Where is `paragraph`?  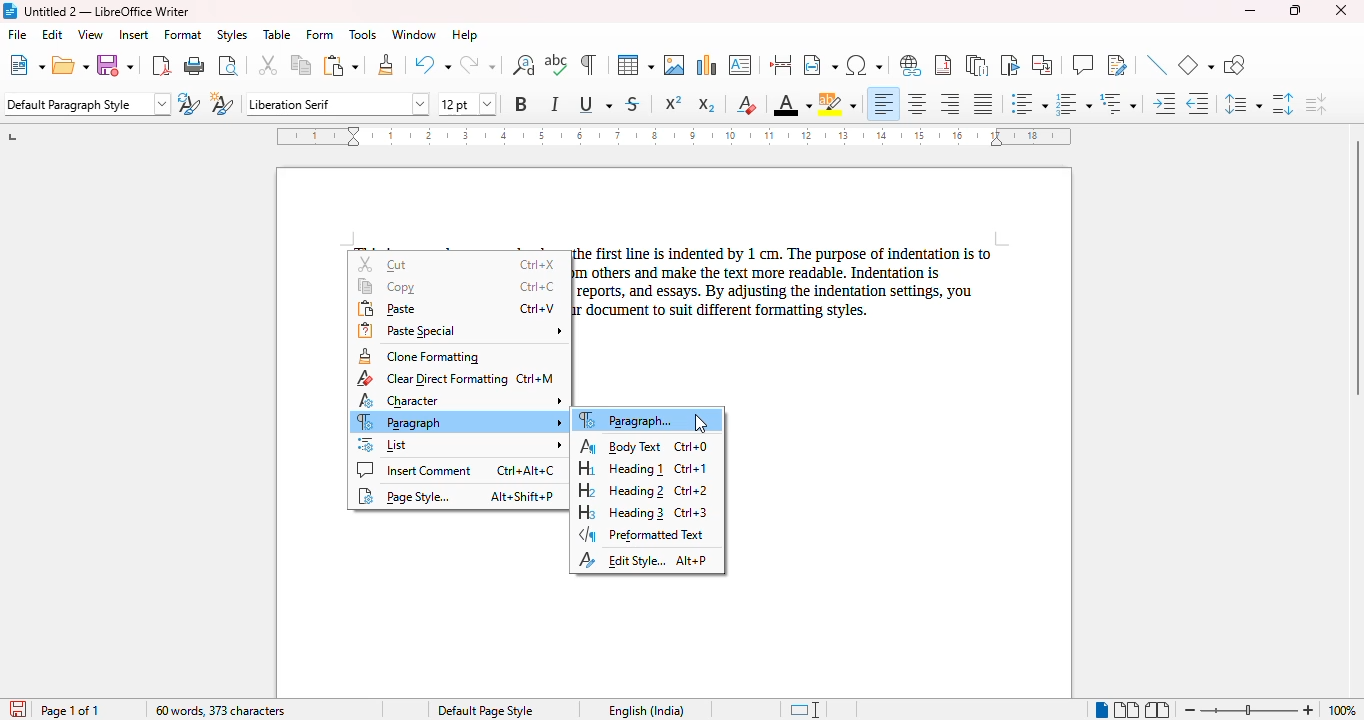
paragraph is located at coordinates (459, 422).